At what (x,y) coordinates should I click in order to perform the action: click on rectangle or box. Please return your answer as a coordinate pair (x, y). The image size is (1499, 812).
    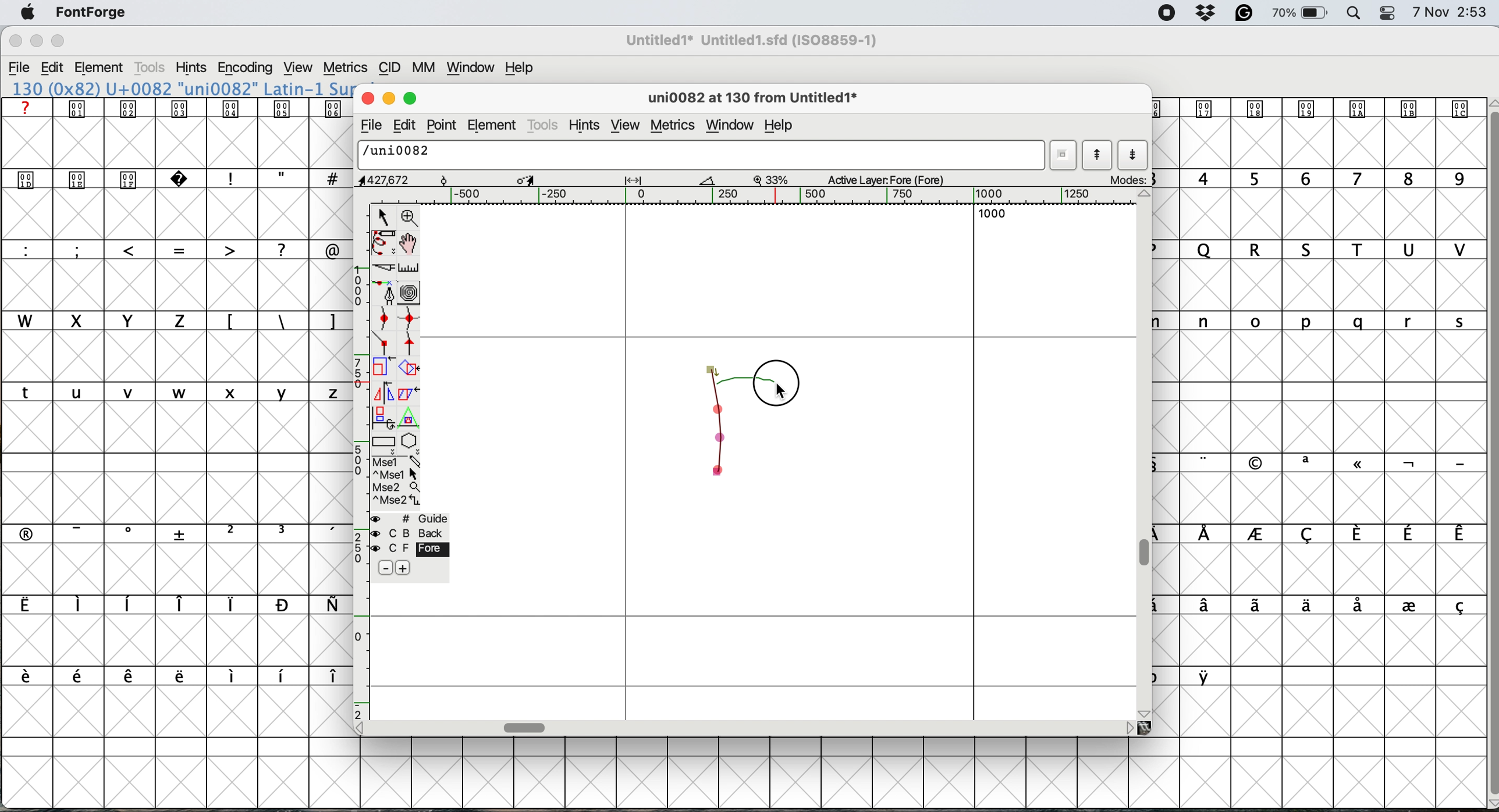
    Looking at the image, I should click on (385, 444).